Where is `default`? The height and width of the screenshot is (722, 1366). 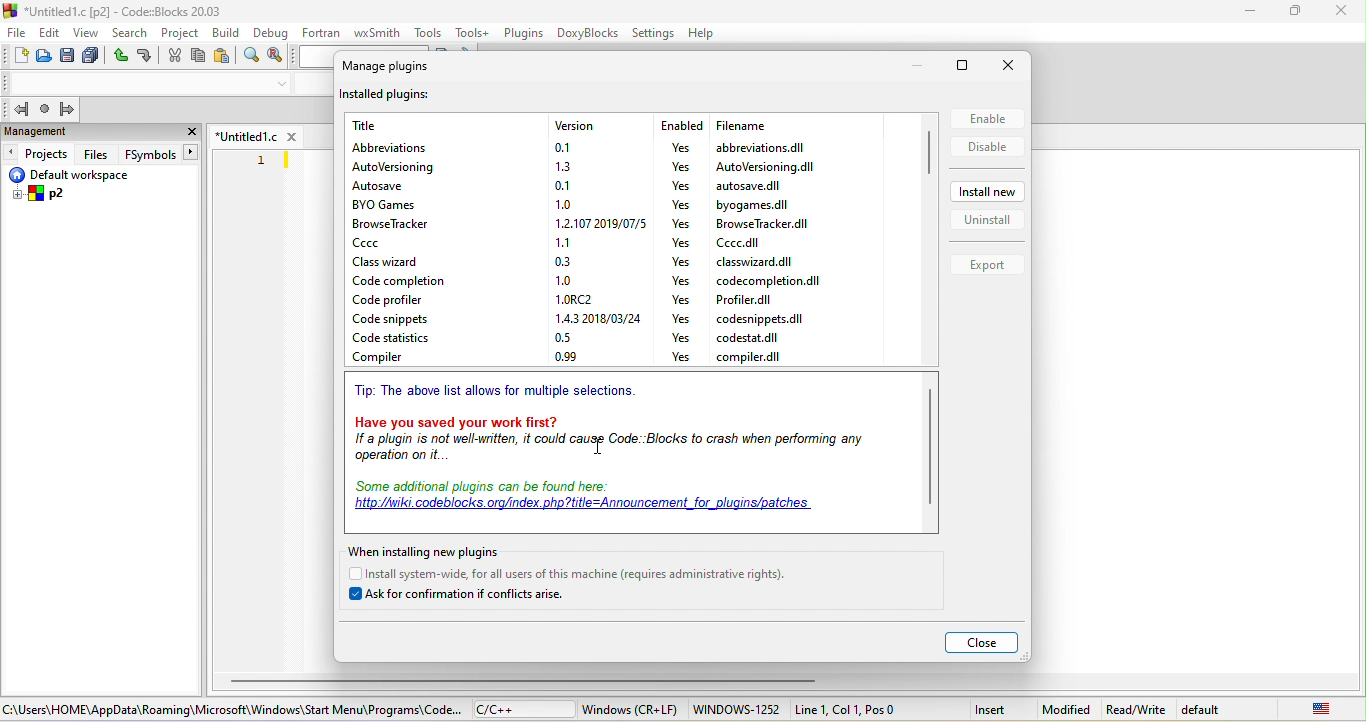
default is located at coordinates (1236, 710).